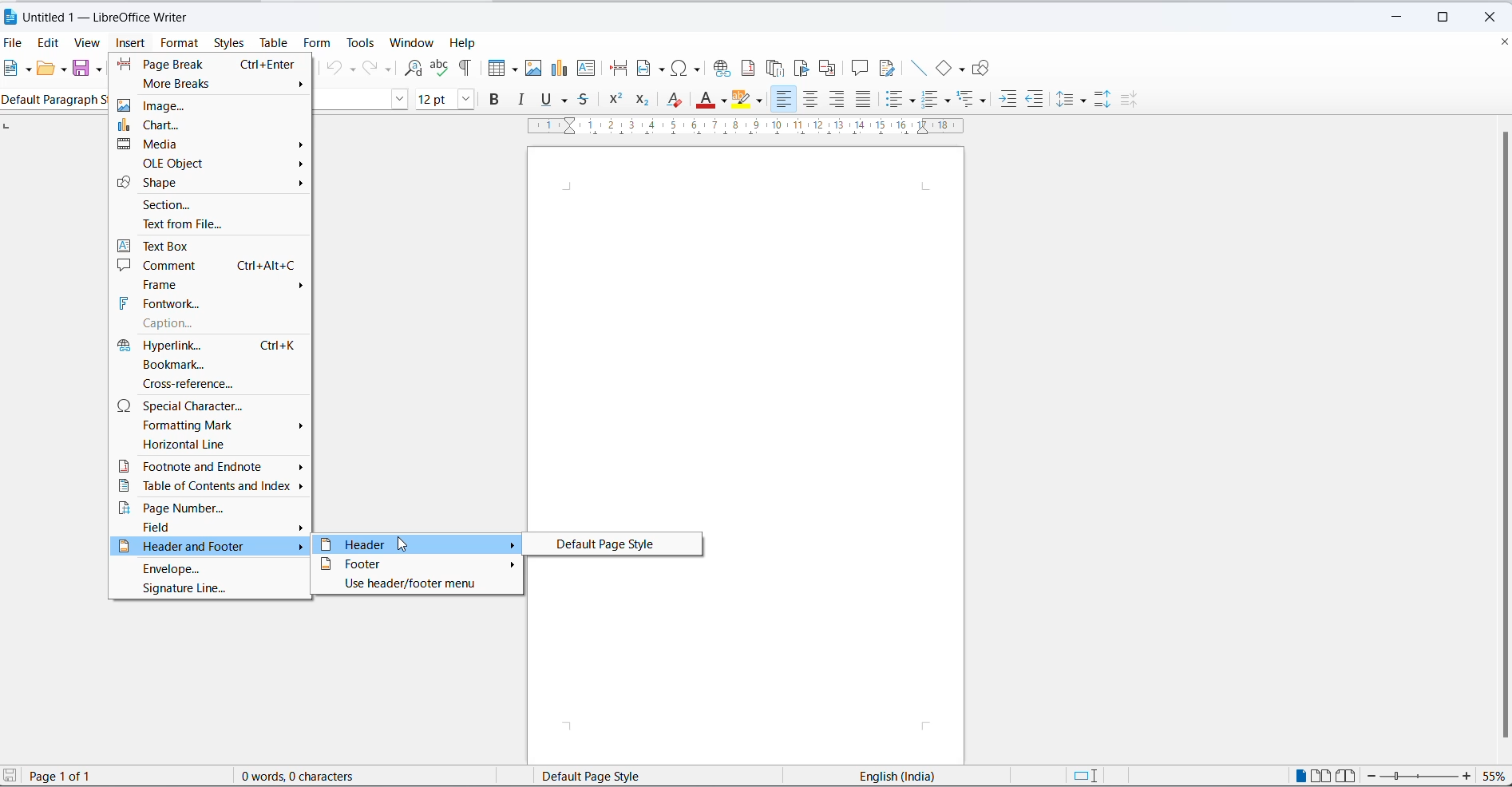  I want to click on toggle unordered list options, so click(914, 101).